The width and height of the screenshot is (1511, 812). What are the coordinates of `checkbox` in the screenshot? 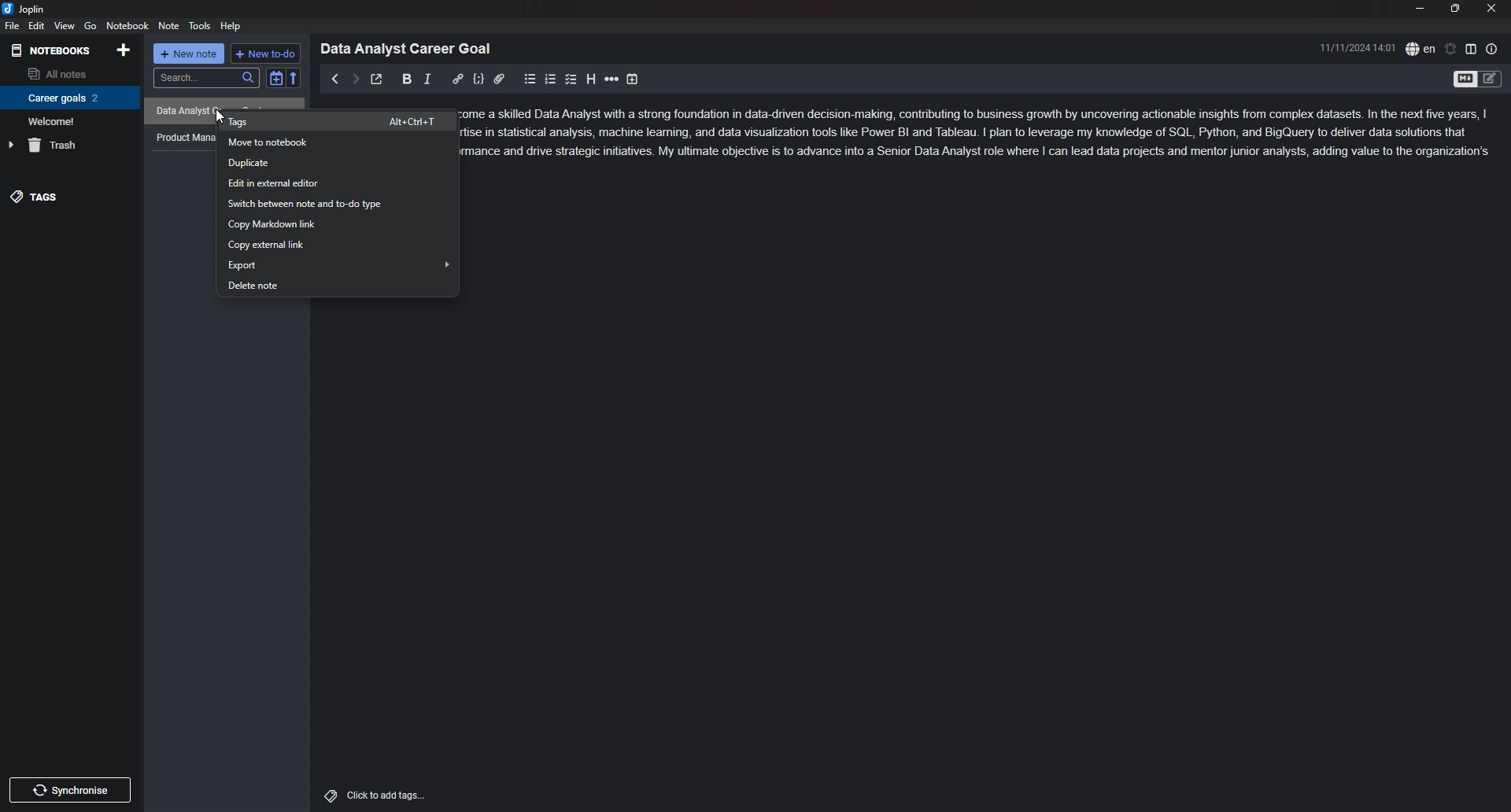 It's located at (571, 79).